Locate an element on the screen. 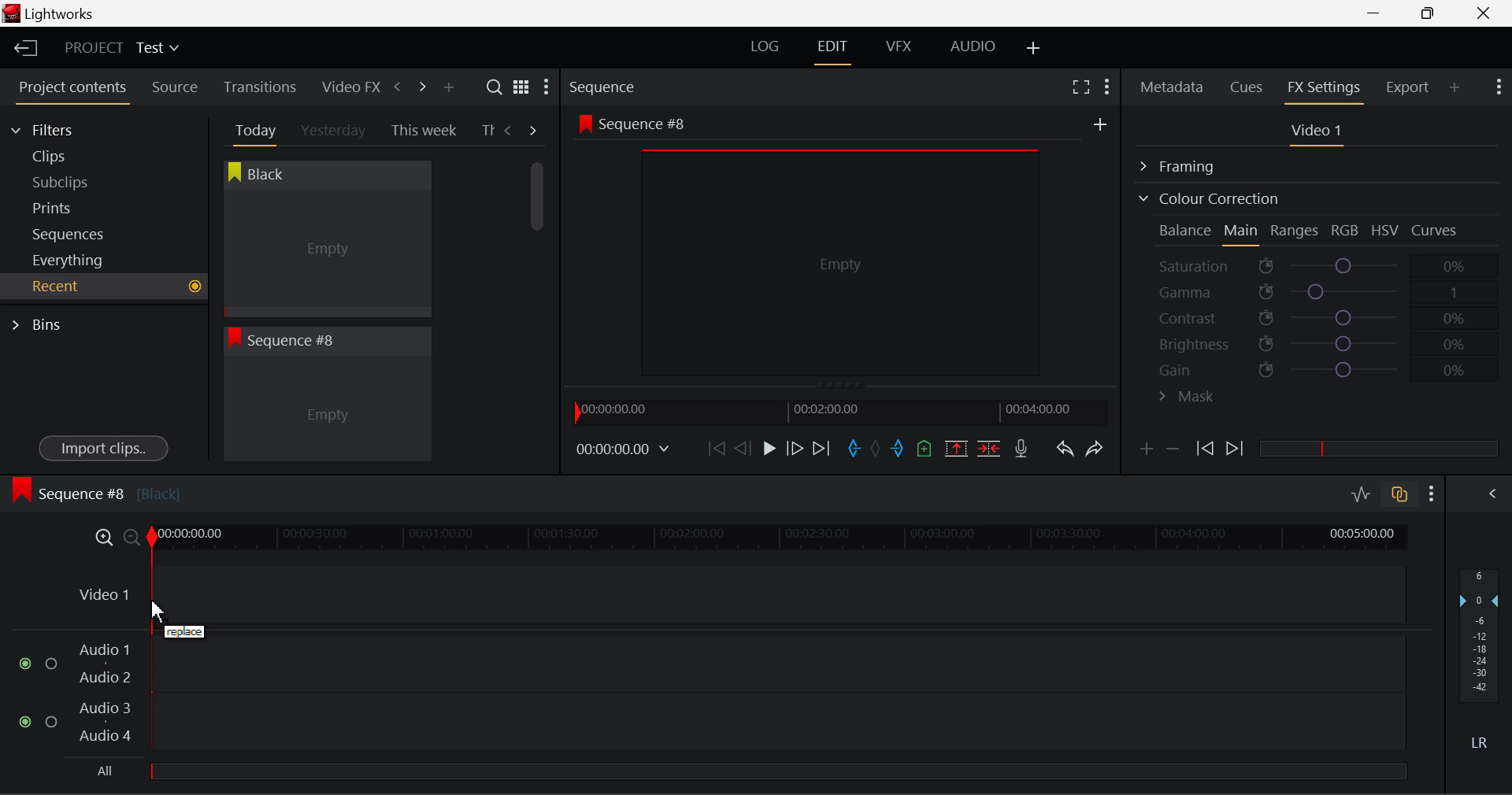 This screenshot has width=1512, height=795. Show Audio Mix is located at coordinates (1494, 492).